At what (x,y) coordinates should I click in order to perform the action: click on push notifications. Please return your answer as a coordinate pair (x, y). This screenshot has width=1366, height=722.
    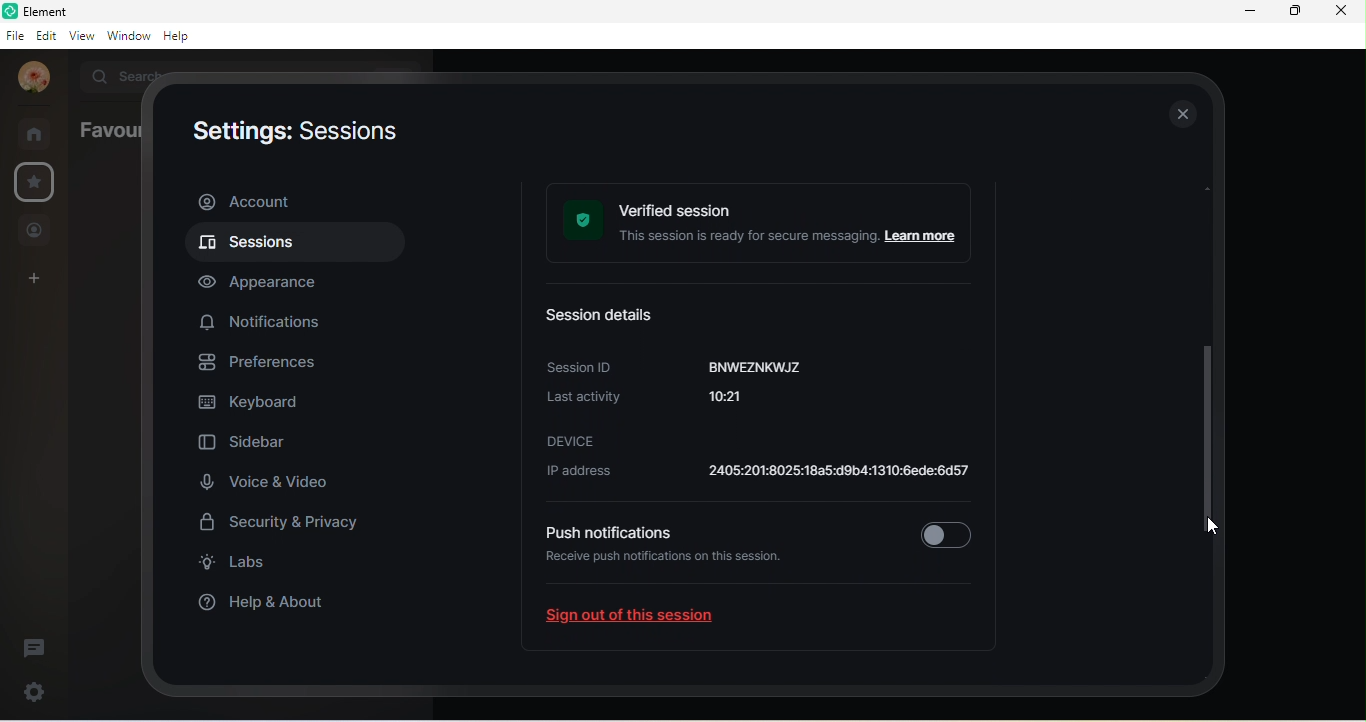
    Looking at the image, I should click on (607, 532).